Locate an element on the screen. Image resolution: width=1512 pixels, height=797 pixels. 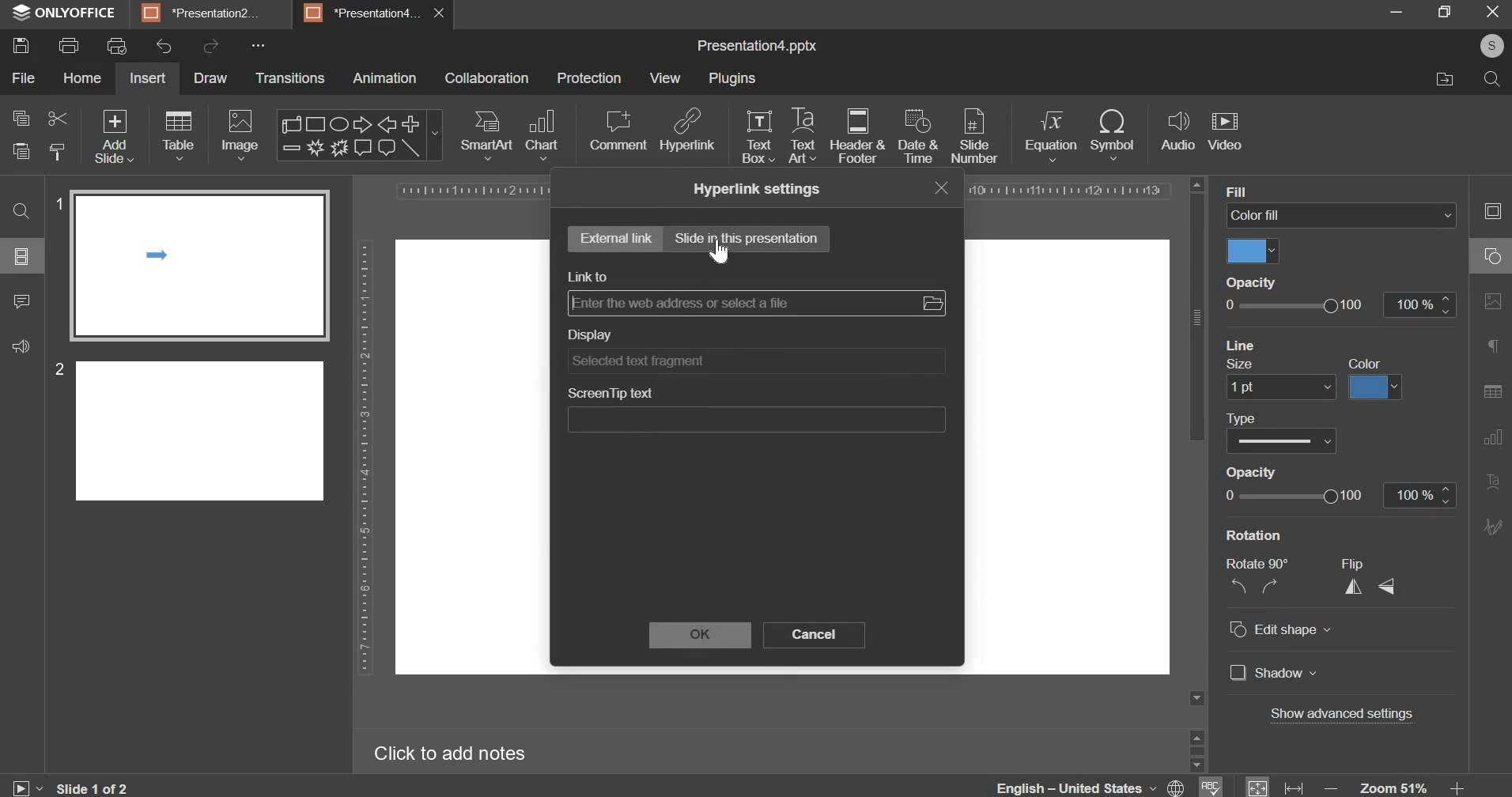
cancel is located at coordinates (815, 635).